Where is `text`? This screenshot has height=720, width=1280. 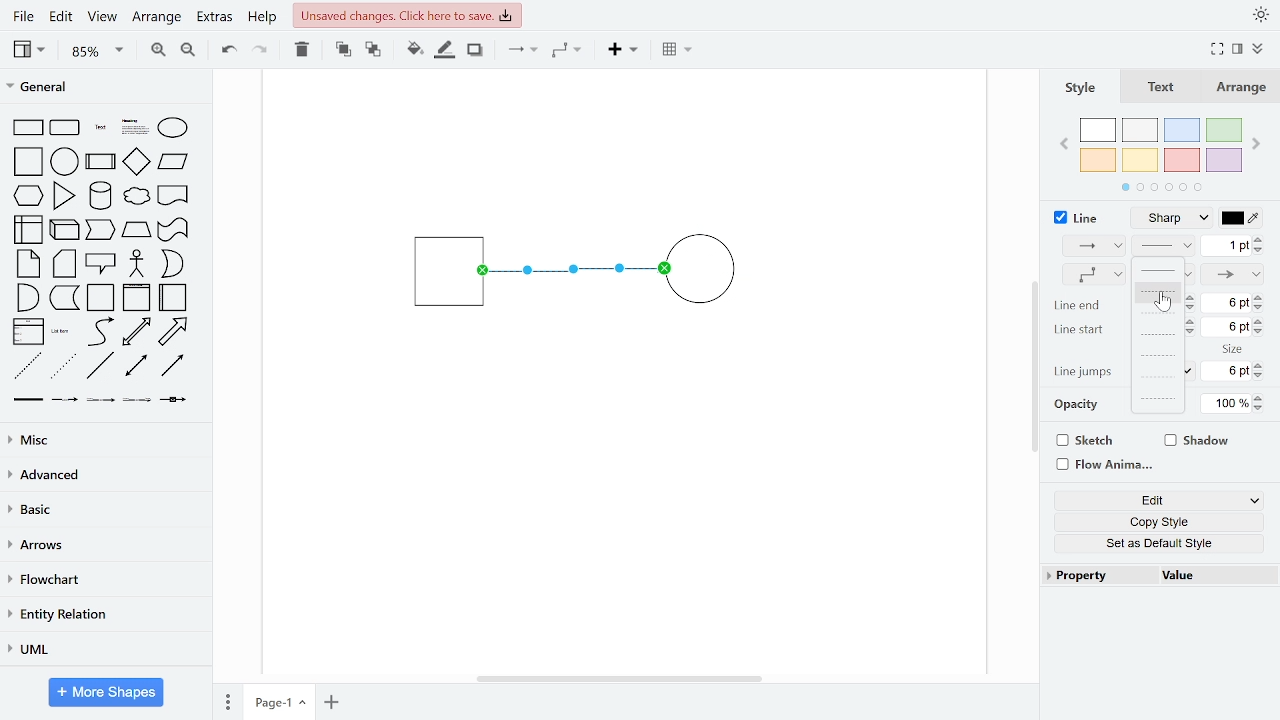
text is located at coordinates (102, 129).